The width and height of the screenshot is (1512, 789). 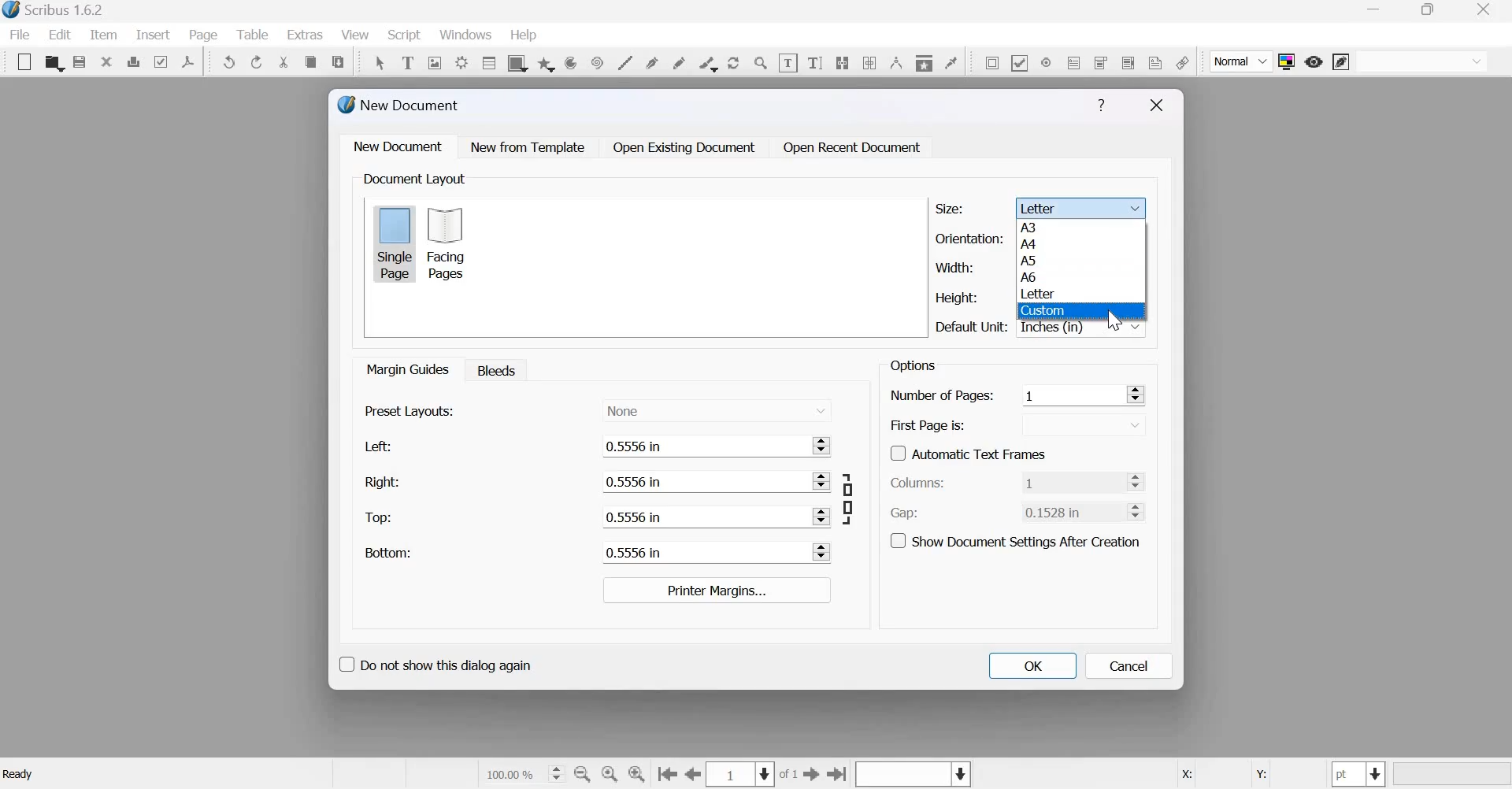 I want to click on Image frame, so click(x=435, y=61).